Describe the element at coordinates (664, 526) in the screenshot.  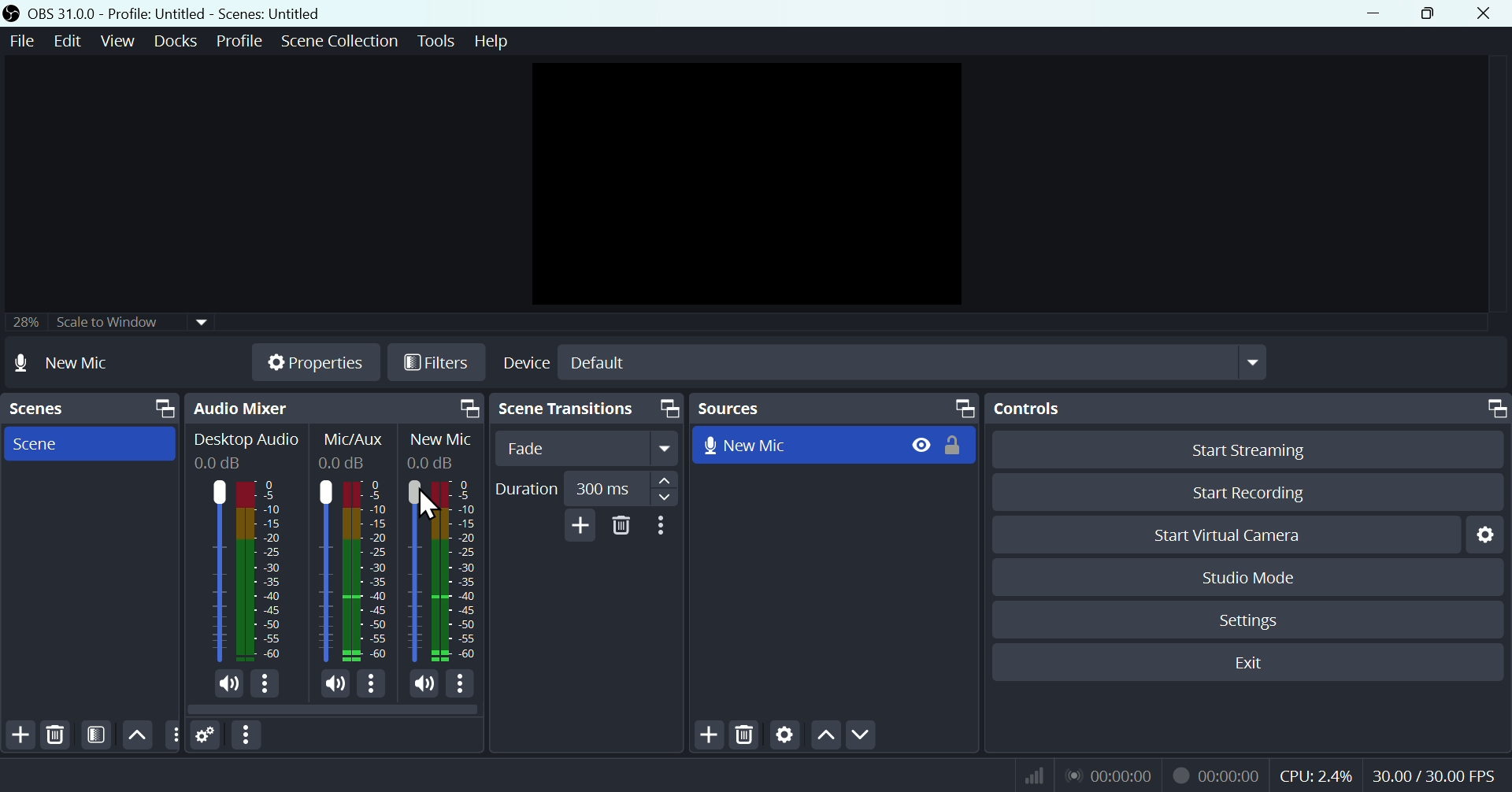
I see `More options` at that location.